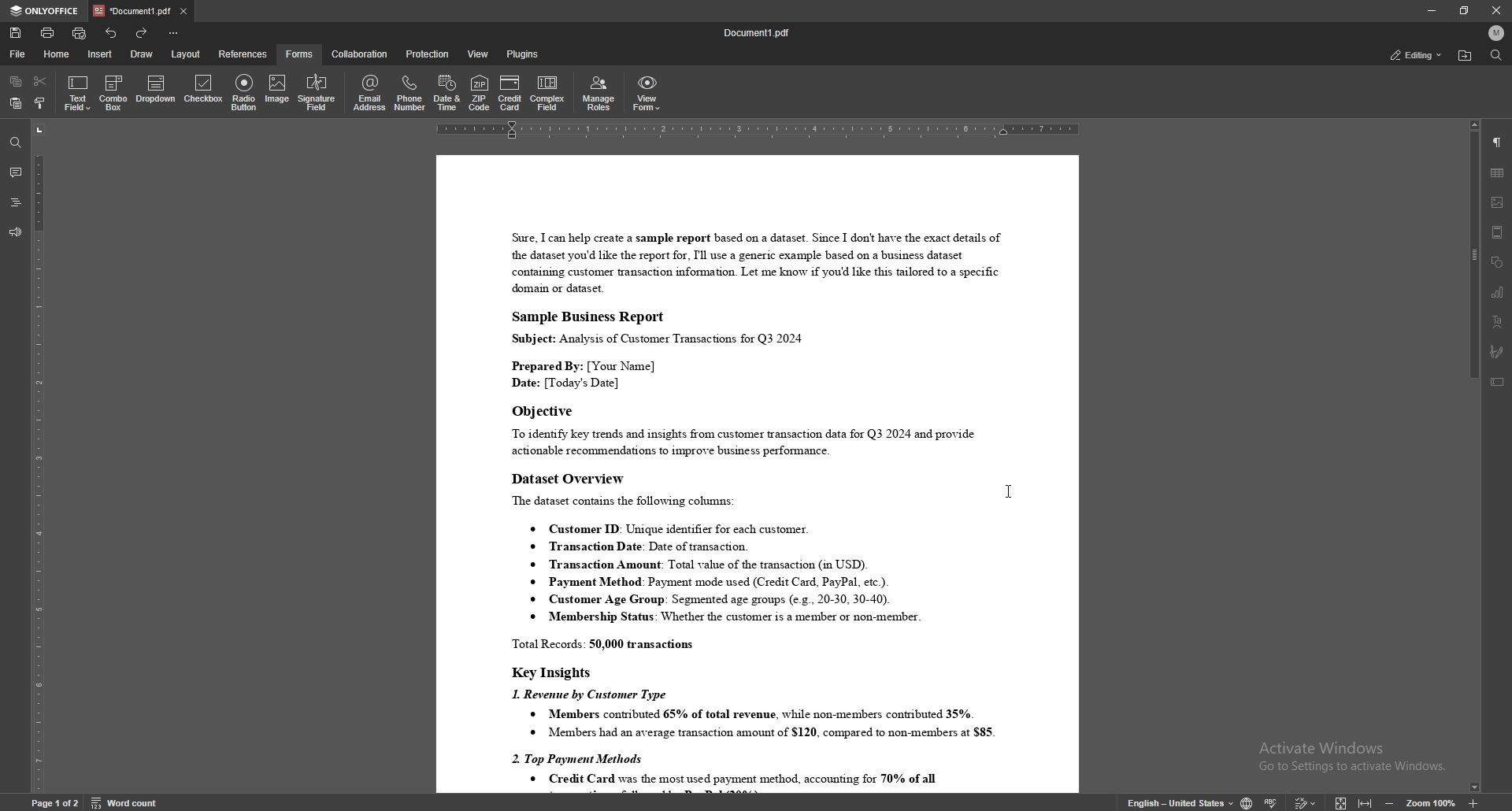 This screenshot has width=1512, height=811. Describe the element at coordinates (48, 32) in the screenshot. I see `print` at that location.